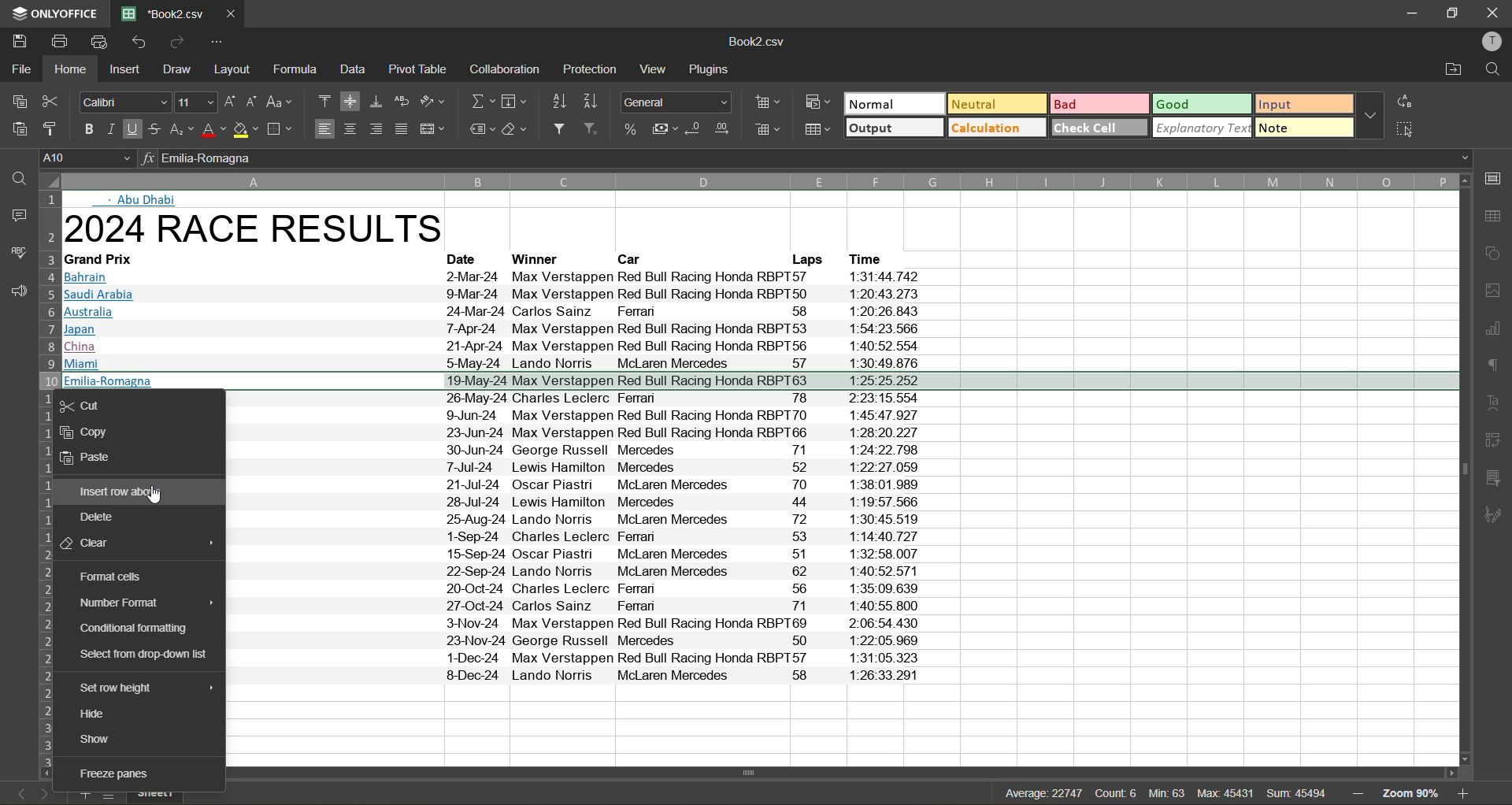 The width and height of the screenshot is (1512, 805). Describe the element at coordinates (506, 69) in the screenshot. I see `collaboration` at that location.